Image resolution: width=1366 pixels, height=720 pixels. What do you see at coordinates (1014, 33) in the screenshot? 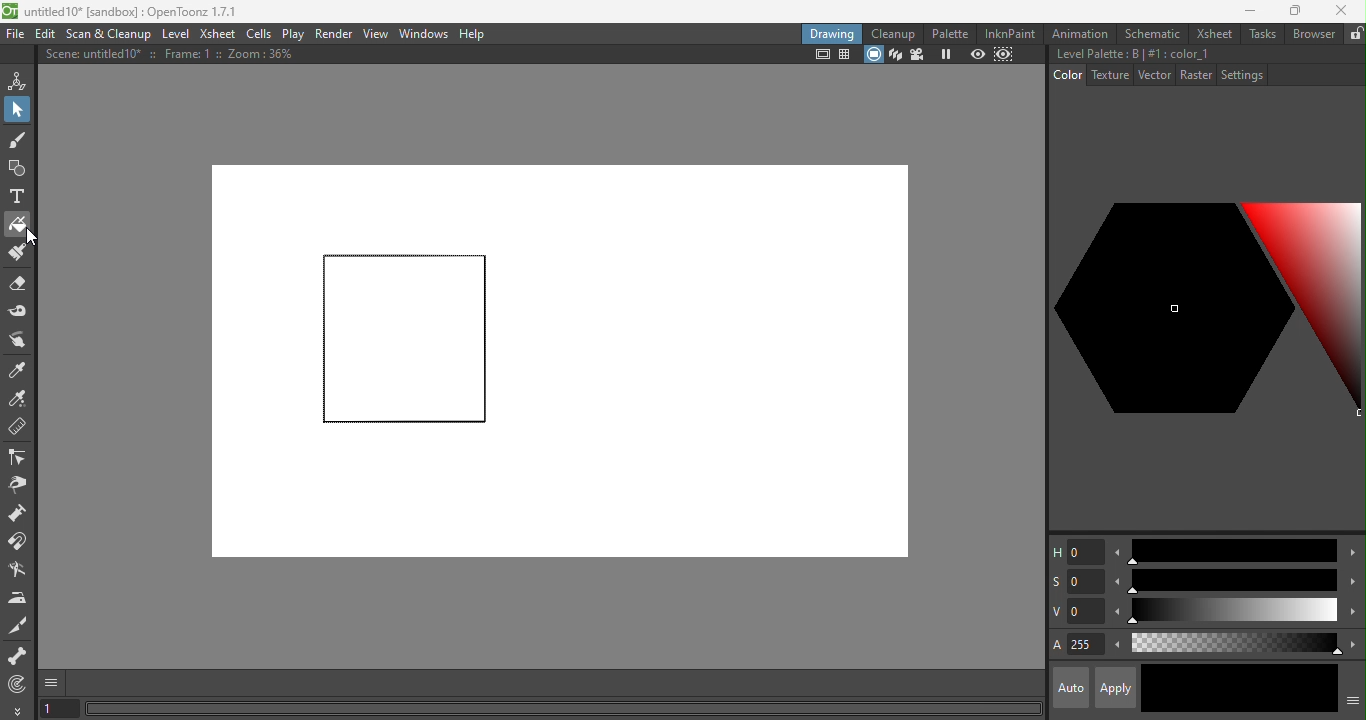
I see `InknPaint` at bounding box center [1014, 33].